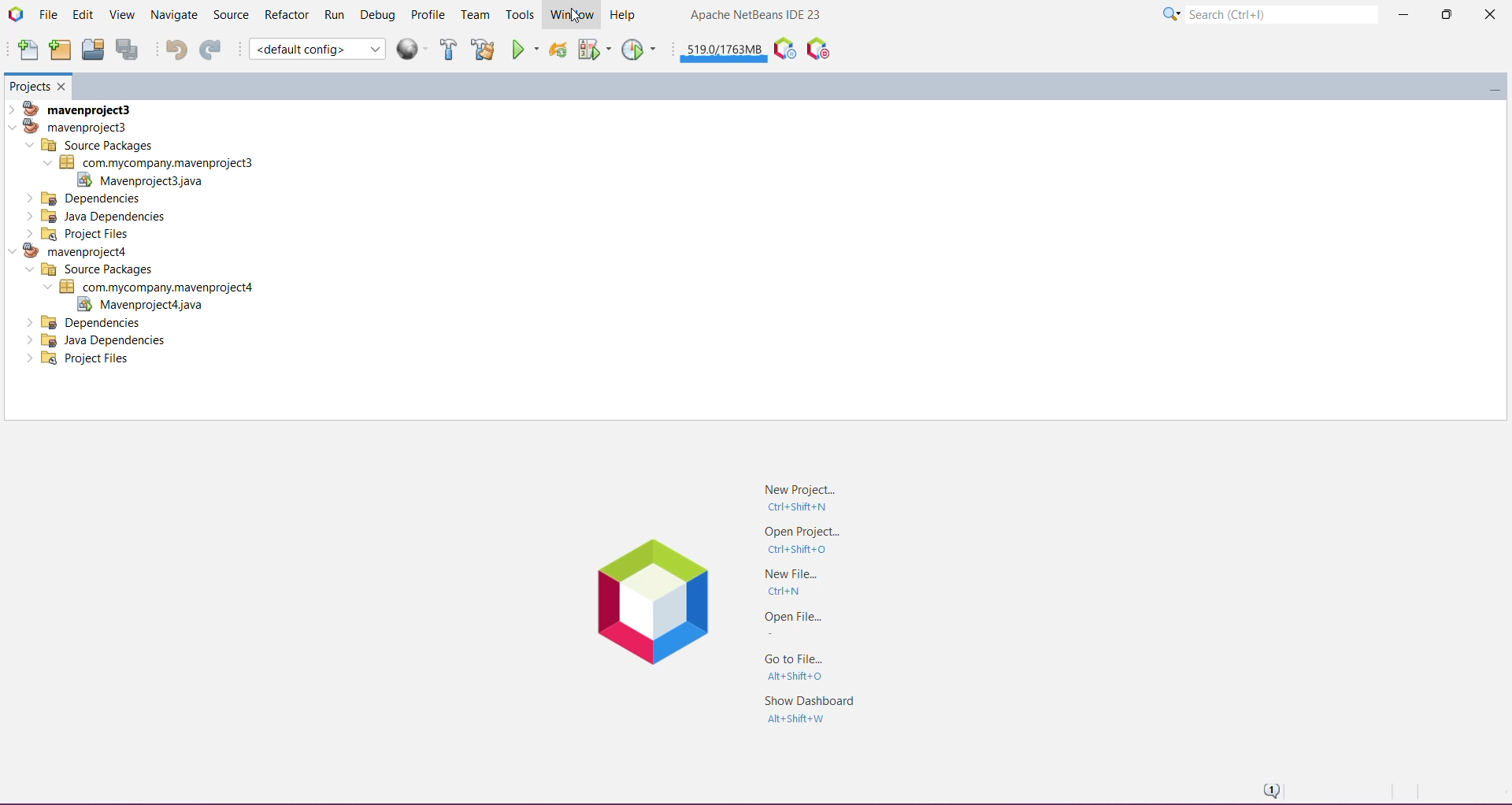  What do you see at coordinates (64, 86) in the screenshot?
I see `Close Window` at bounding box center [64, 86].